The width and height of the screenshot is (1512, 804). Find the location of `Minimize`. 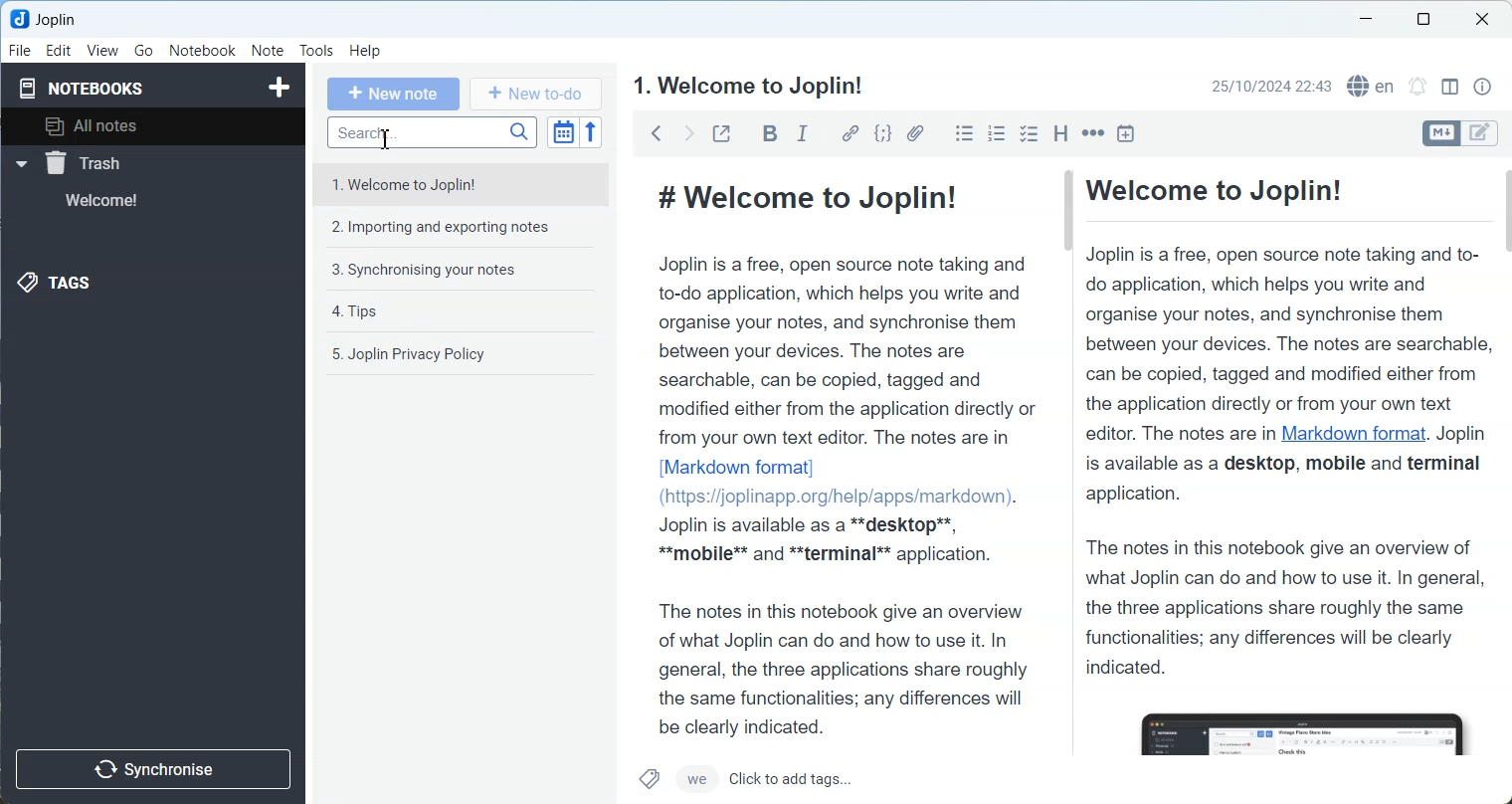

Minimize is located at coordinates (1365, 19).